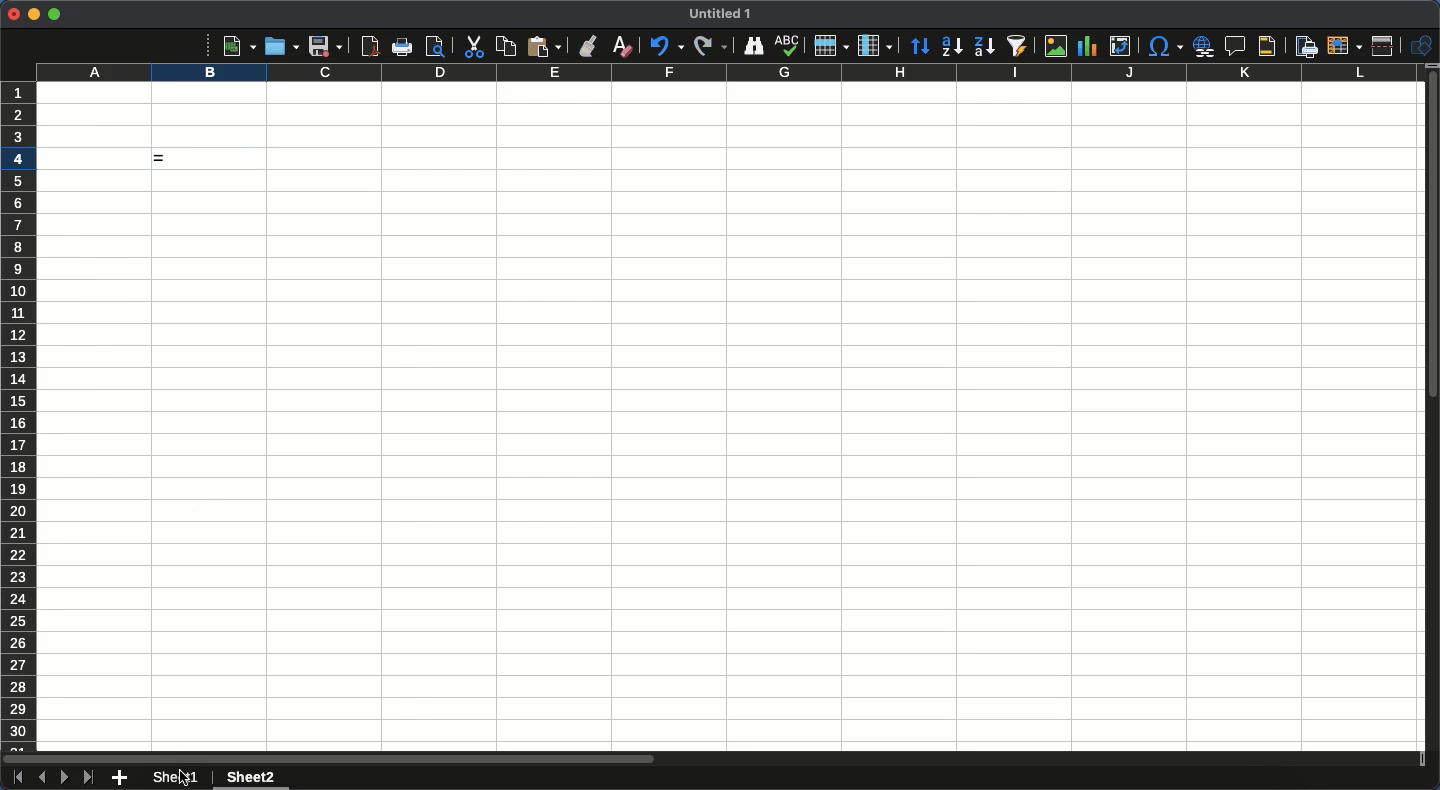 The image size is (1440, 790). Describe the element at coordinates (1424, 46) in the screenshot. I see `Shapes` at that location.